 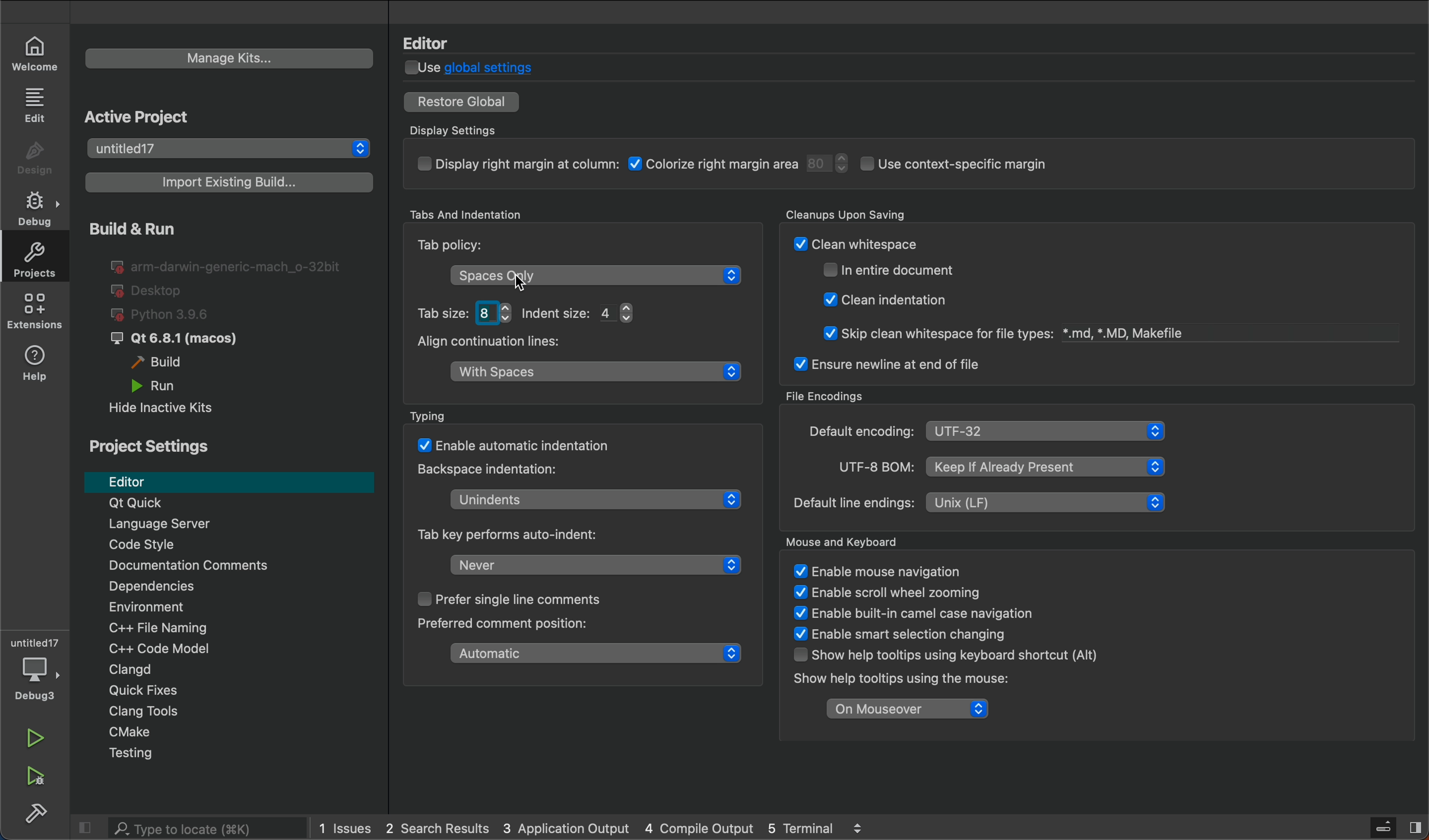 What do you see at coordinates (941, 655) in the screenshot?
I see `show help` at bounding box center [941, 655].